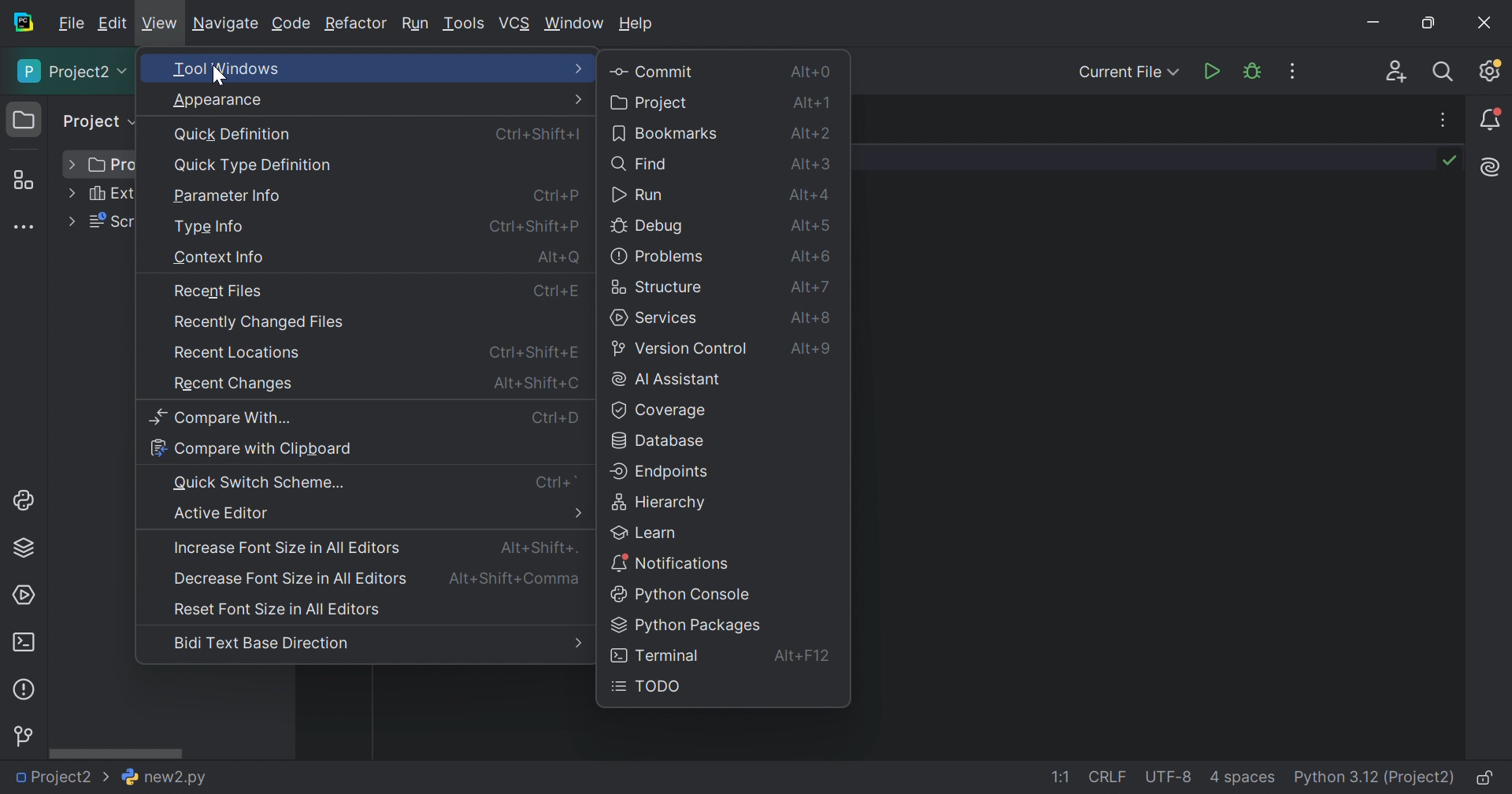 The width and height of the screenshot is (1512, 794). Describe the element at coordinates (1487, 779) in the screenshot. I see `Make file read-only` at that location.